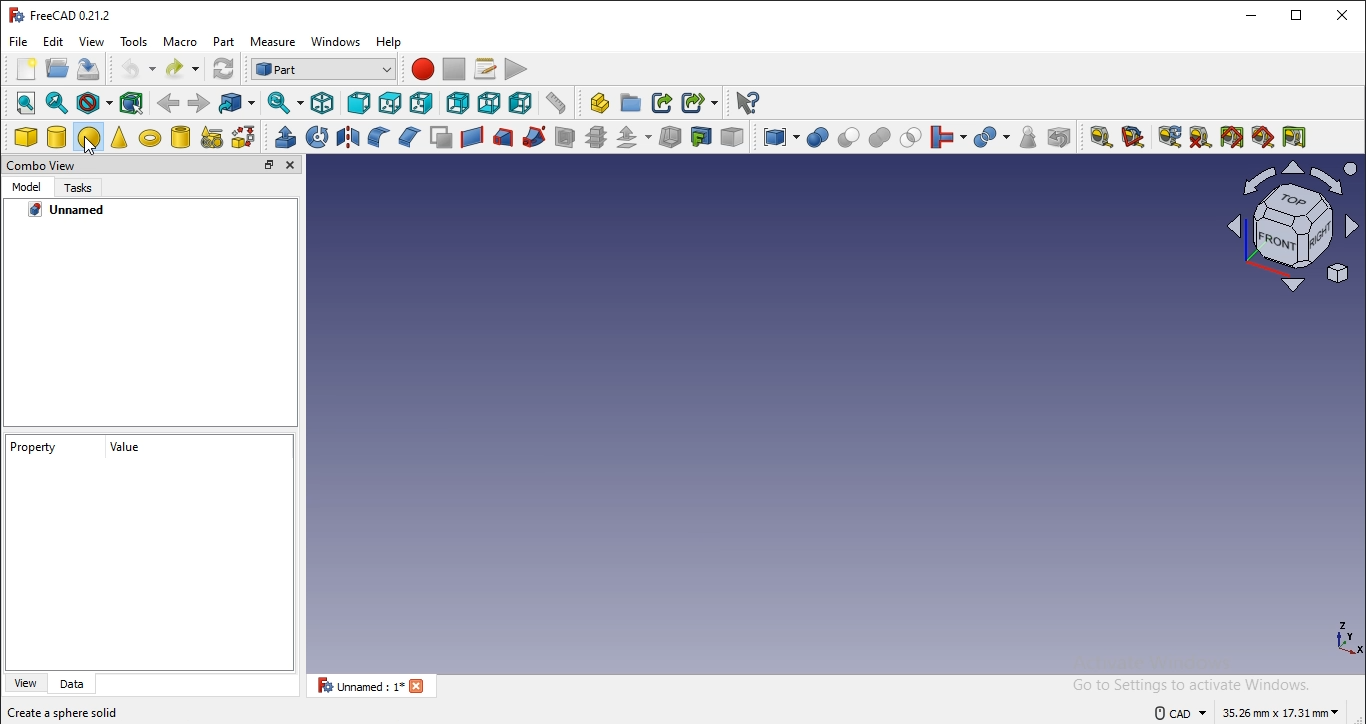 Image resolution: width=1366 pixels, height=724 pixels. Describe the element at coordinates (67, 713) in the screenshot. I see `create a sphere solid` at that location.